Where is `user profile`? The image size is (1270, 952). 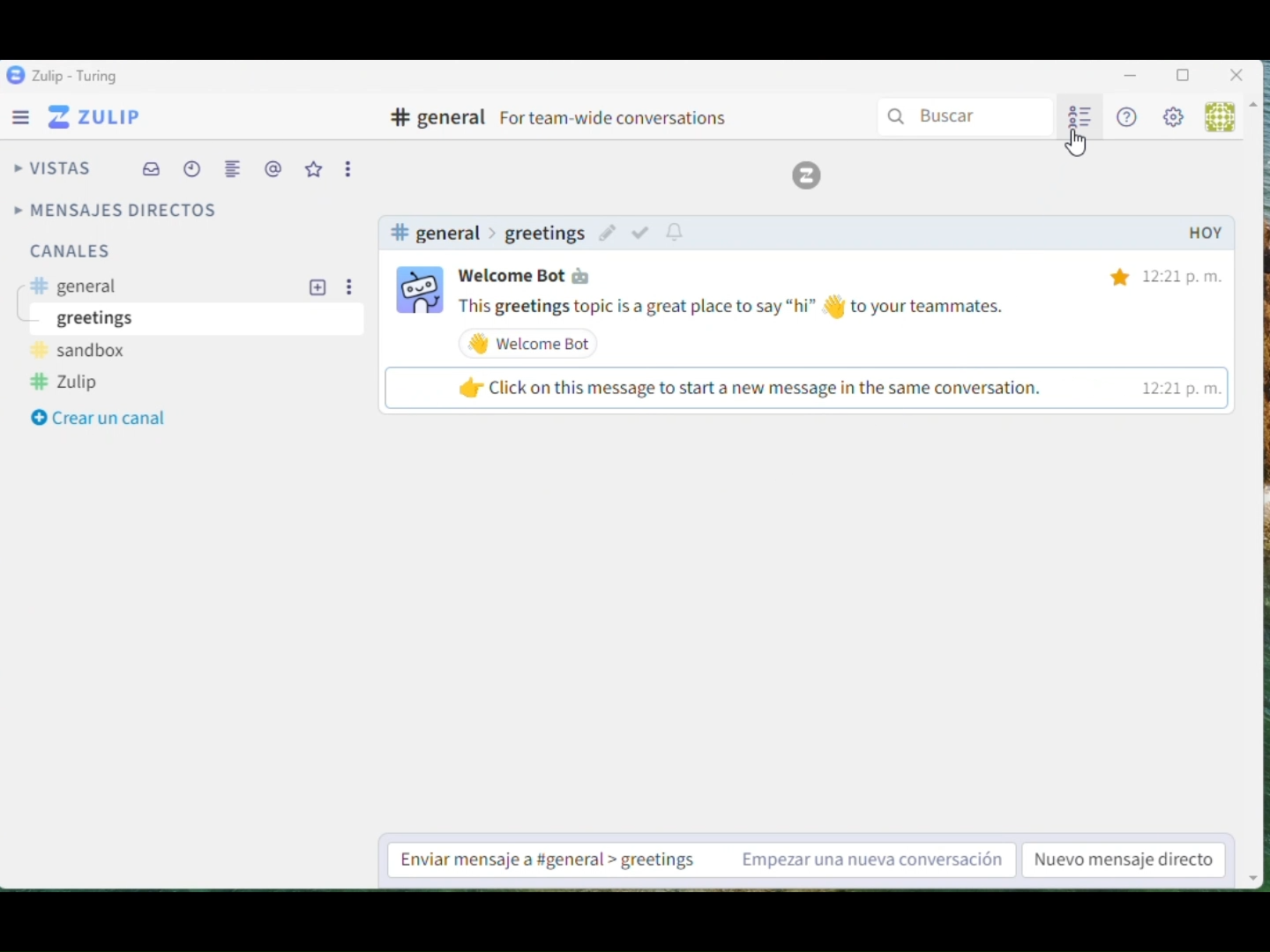
user profile is located at coordinates (418, 289).